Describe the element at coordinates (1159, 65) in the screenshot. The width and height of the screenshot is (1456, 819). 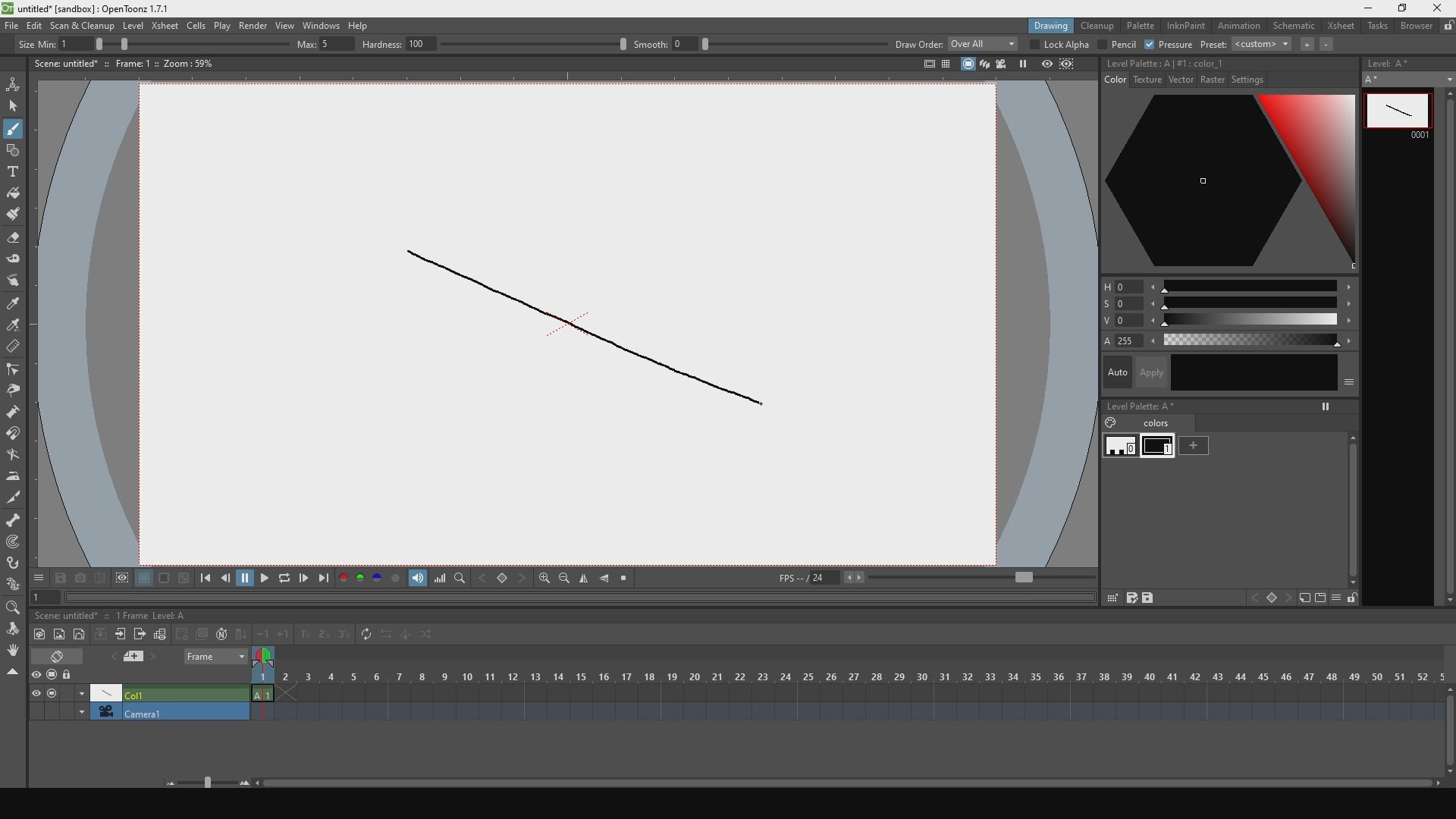
I see `no style selecte` at that location.